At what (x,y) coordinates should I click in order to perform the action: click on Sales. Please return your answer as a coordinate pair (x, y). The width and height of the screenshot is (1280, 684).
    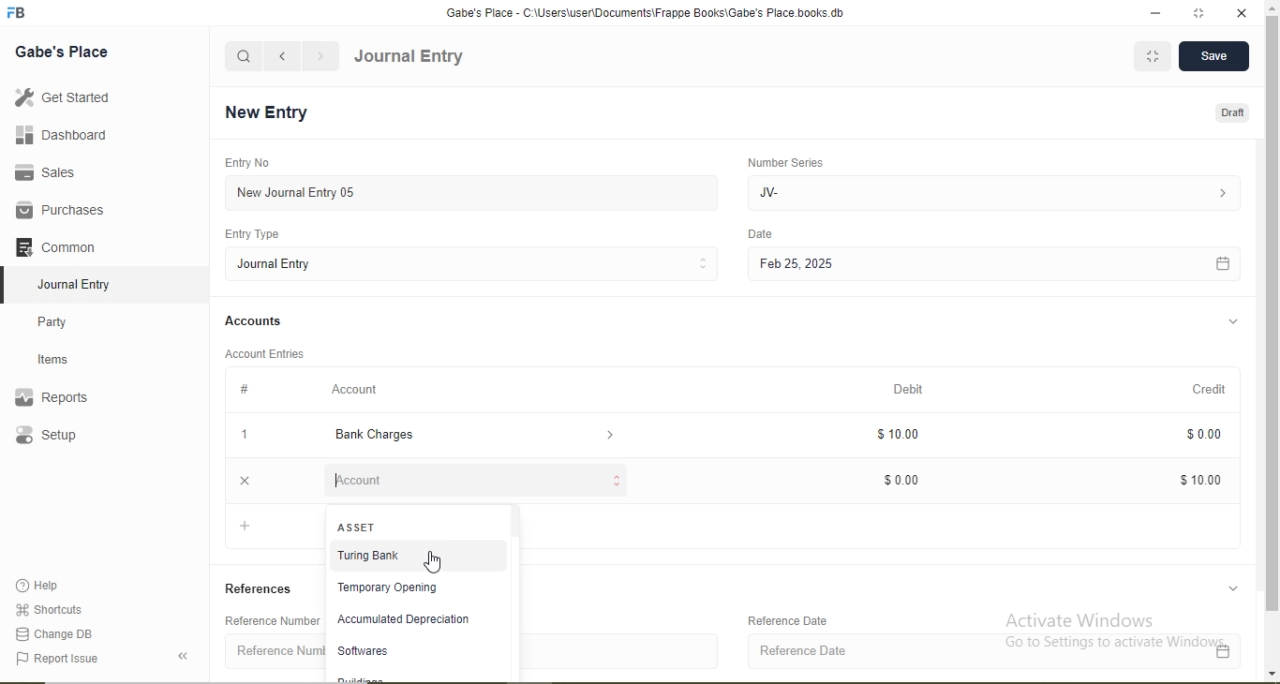
    Looking at the image, I should click on (54, 172).